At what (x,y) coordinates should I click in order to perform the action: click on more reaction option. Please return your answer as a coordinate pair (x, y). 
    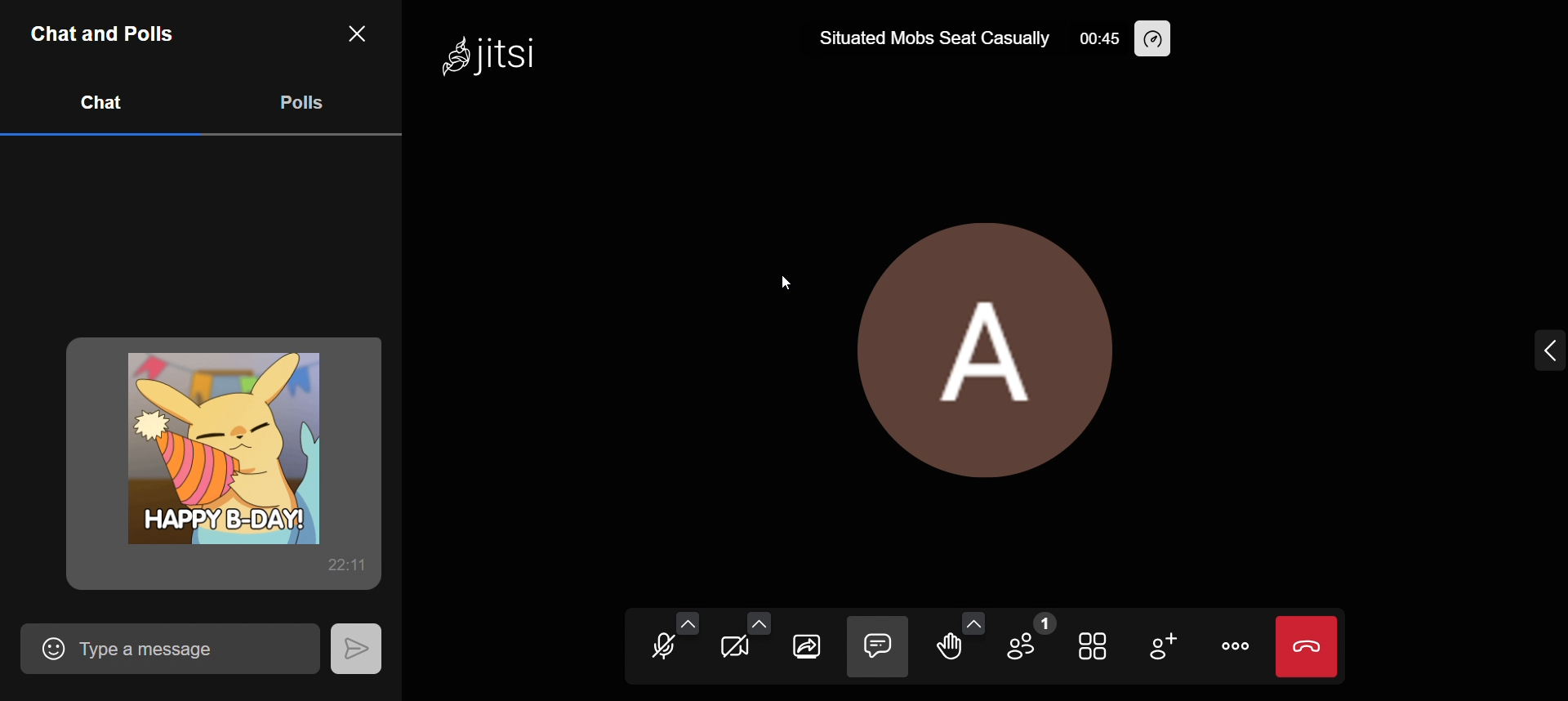
    Looking at the image, I should click on (970, 618).